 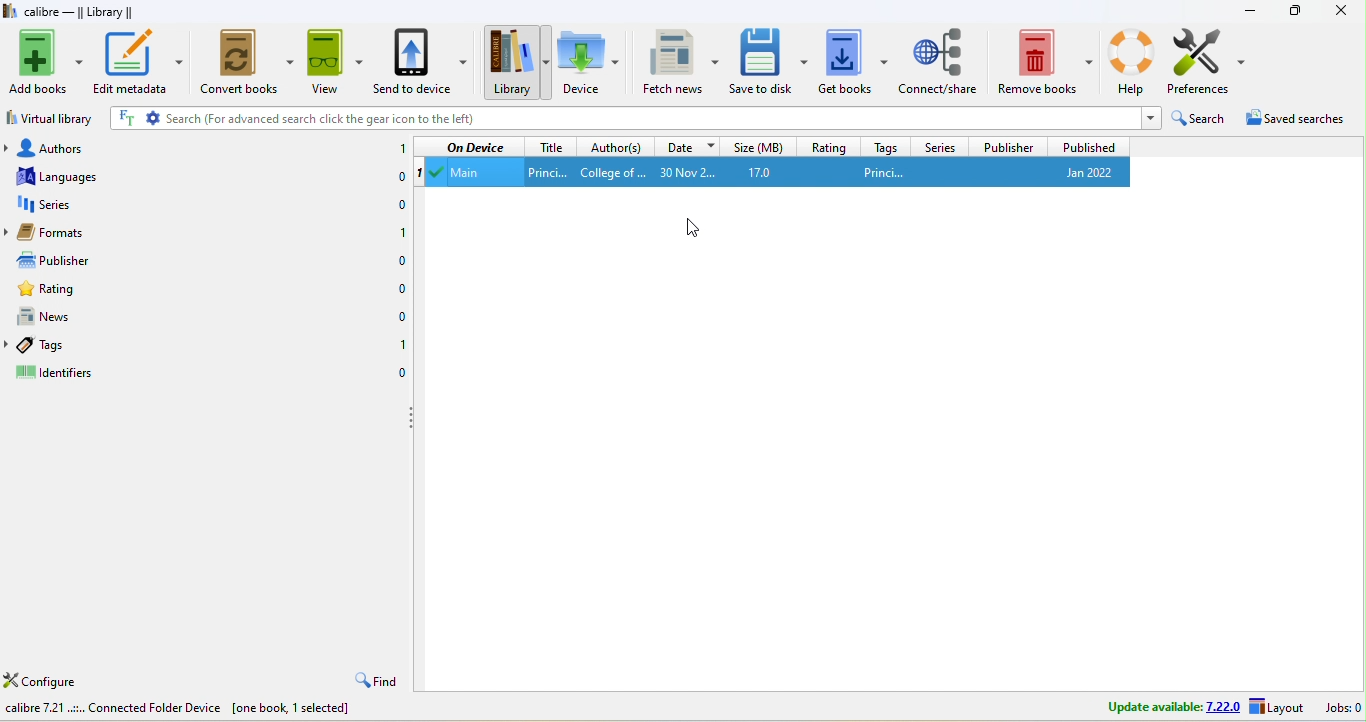 I want to click on library, so click(x=515, y=62).